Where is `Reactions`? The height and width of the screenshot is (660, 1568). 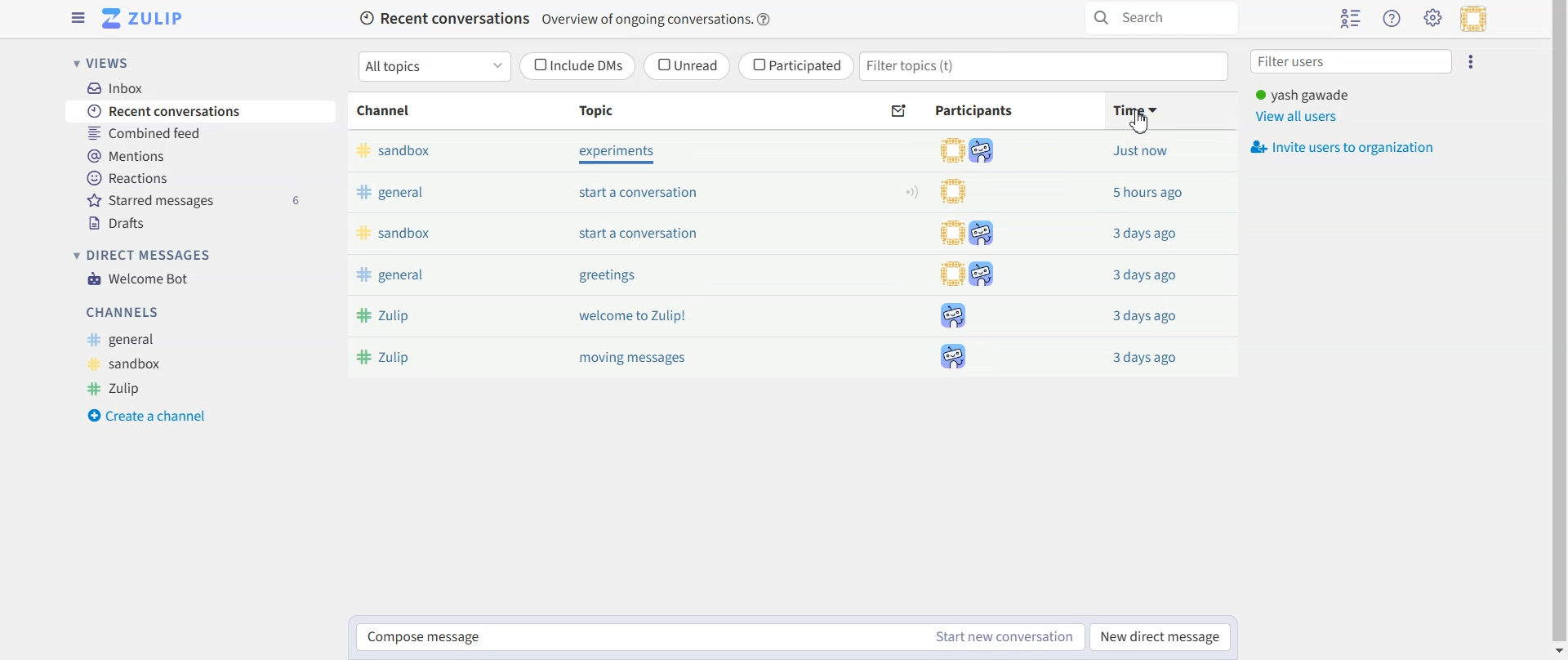 Reactions is located at coordinates (200, 177).